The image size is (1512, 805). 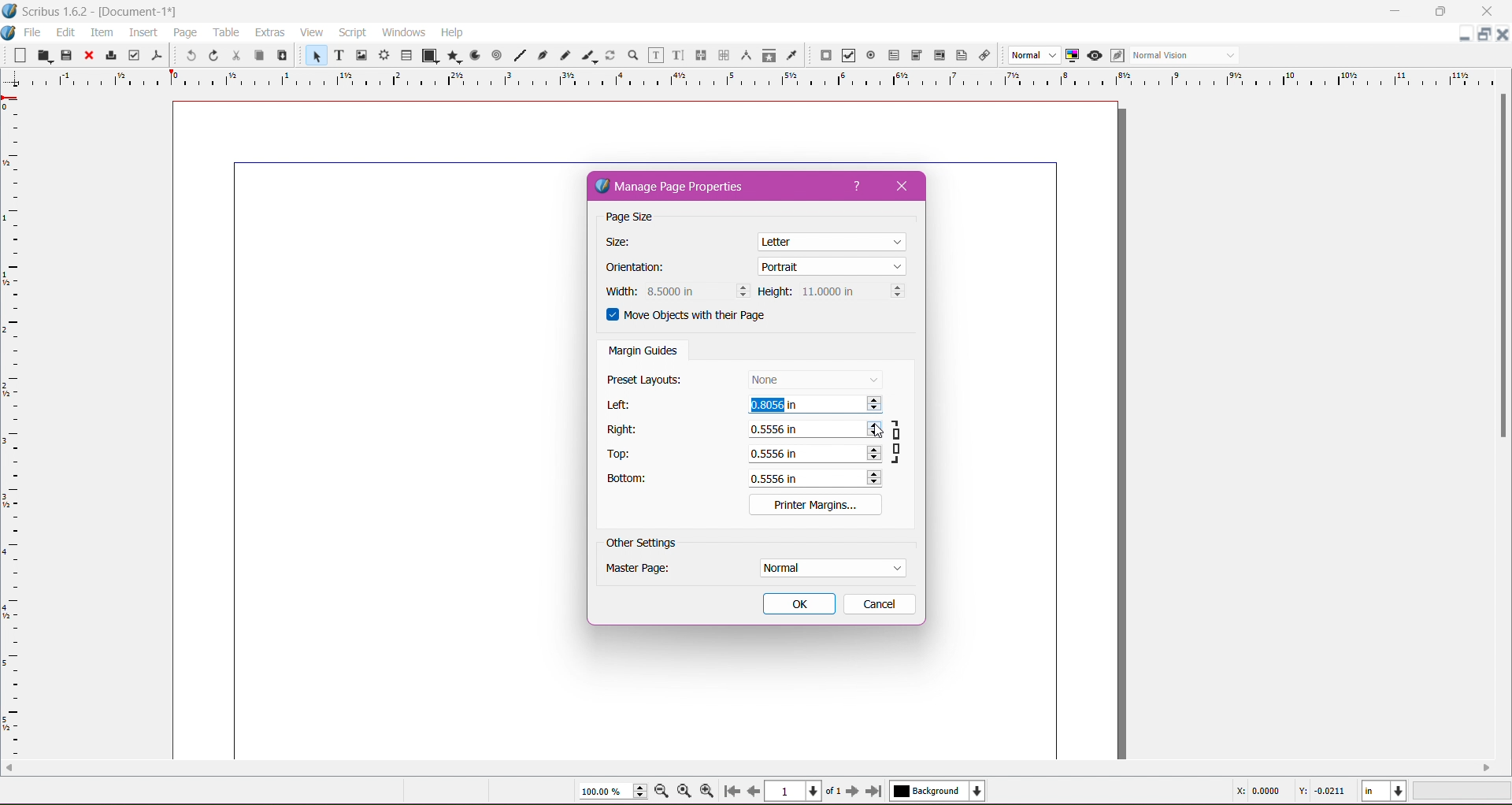 I want to click on Cancel, so click(x=878, y=603).